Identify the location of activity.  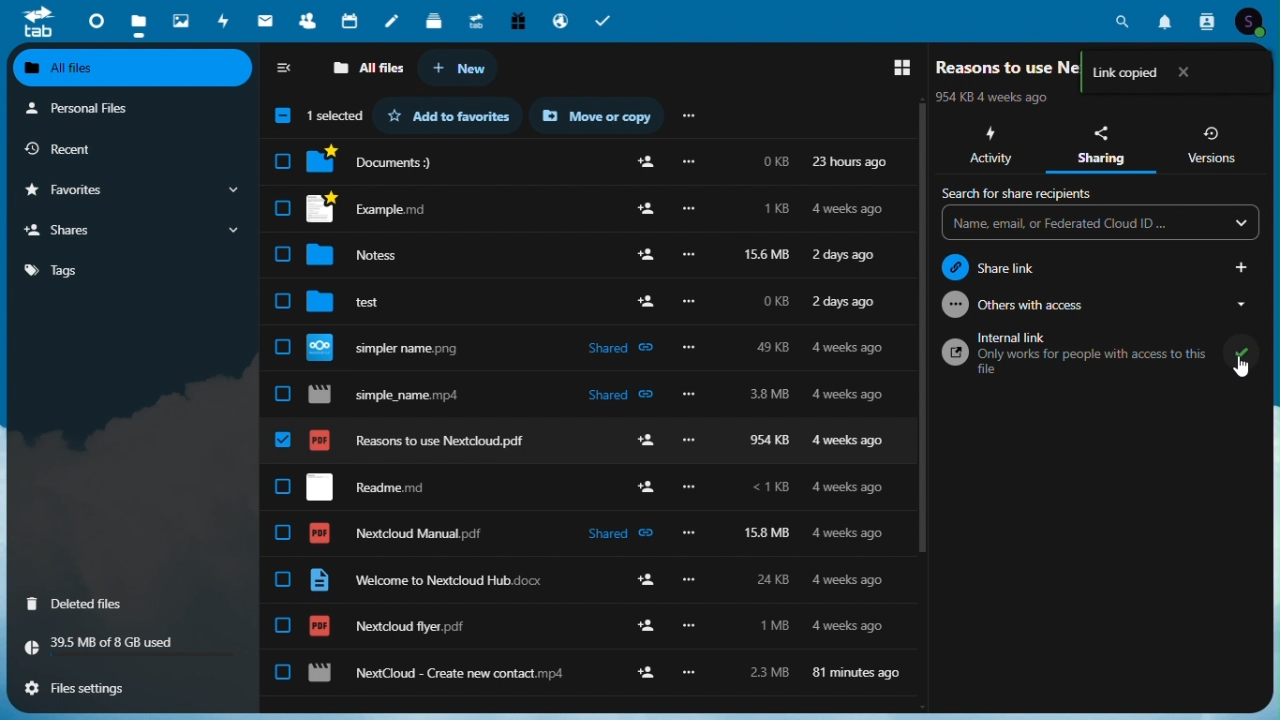
(987, 147).